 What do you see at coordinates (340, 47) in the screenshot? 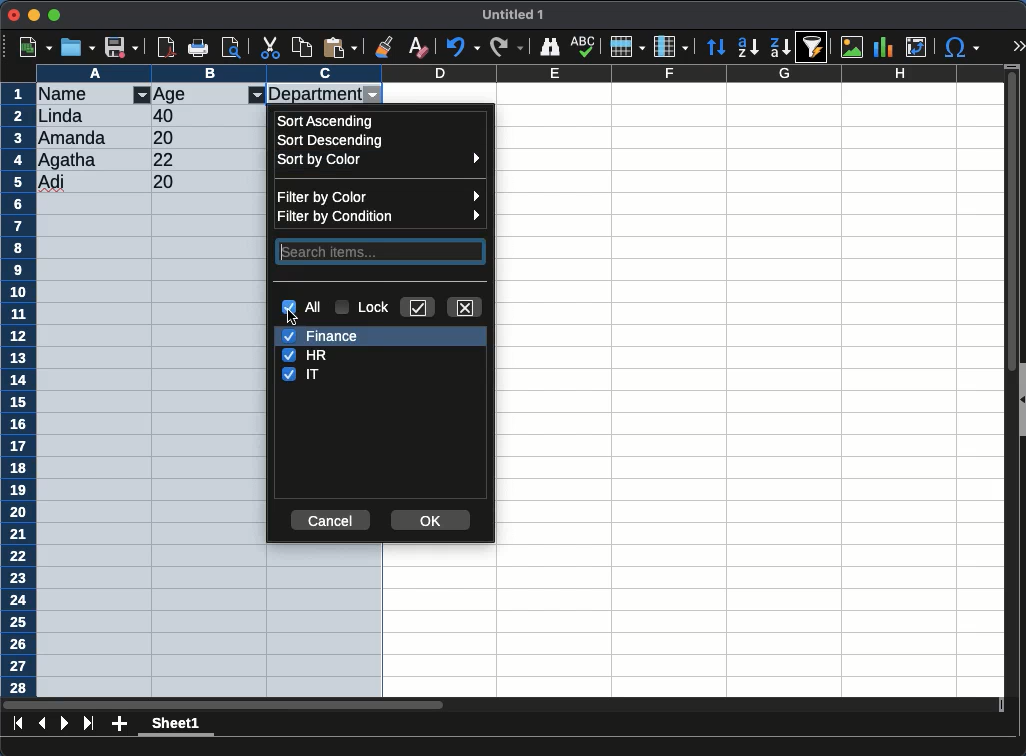
I see `paste` at bounding box center [340, 47].